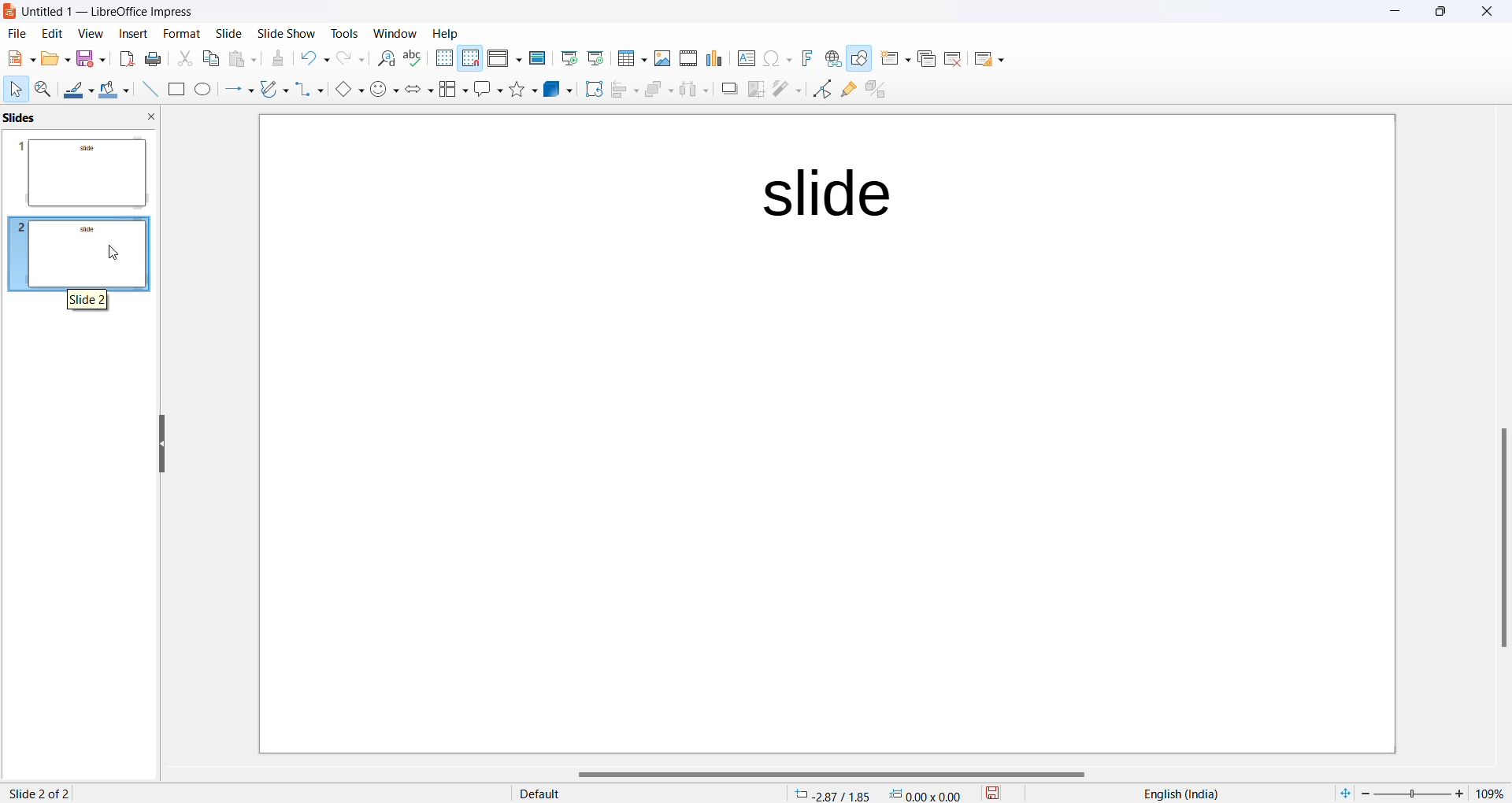 The width and height of the screenshot is (1512, 803). Describe the element at coordinates (786, 90) in the screenshot. I see `filter` at that location.